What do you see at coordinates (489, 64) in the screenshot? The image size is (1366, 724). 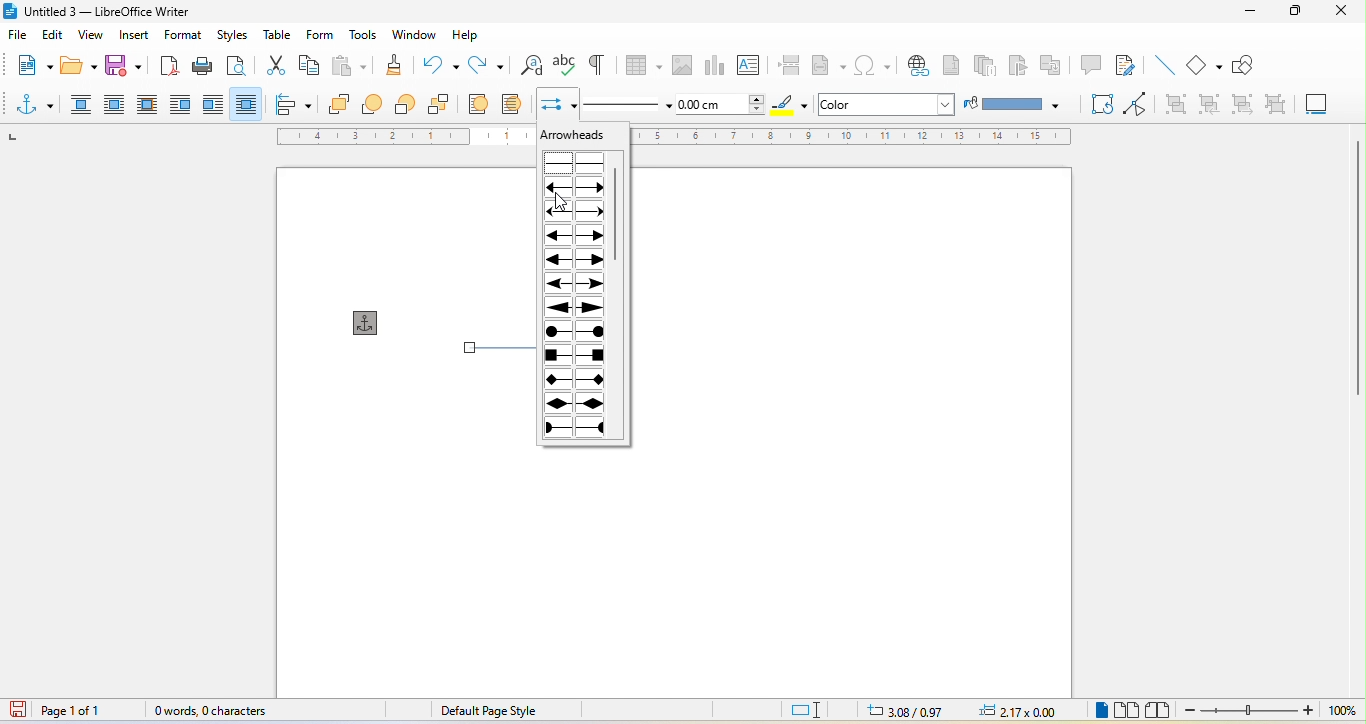 I see `redo` at bounding box center [489, 64].